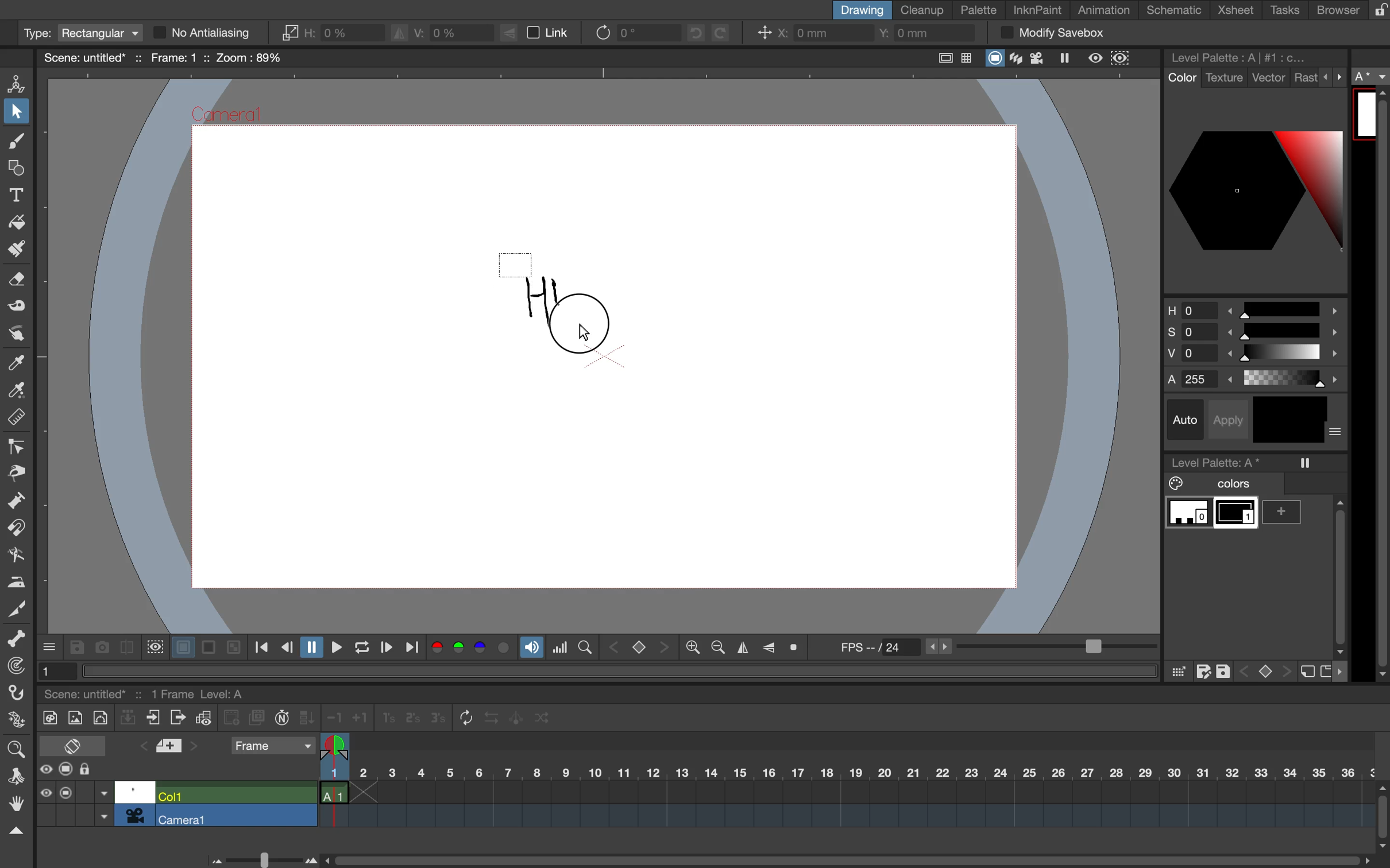 This screenshot has width=1390, height=868. Describe the element at coordinates (1220, 460) in the screenshot. I see `level palette a` at that location.